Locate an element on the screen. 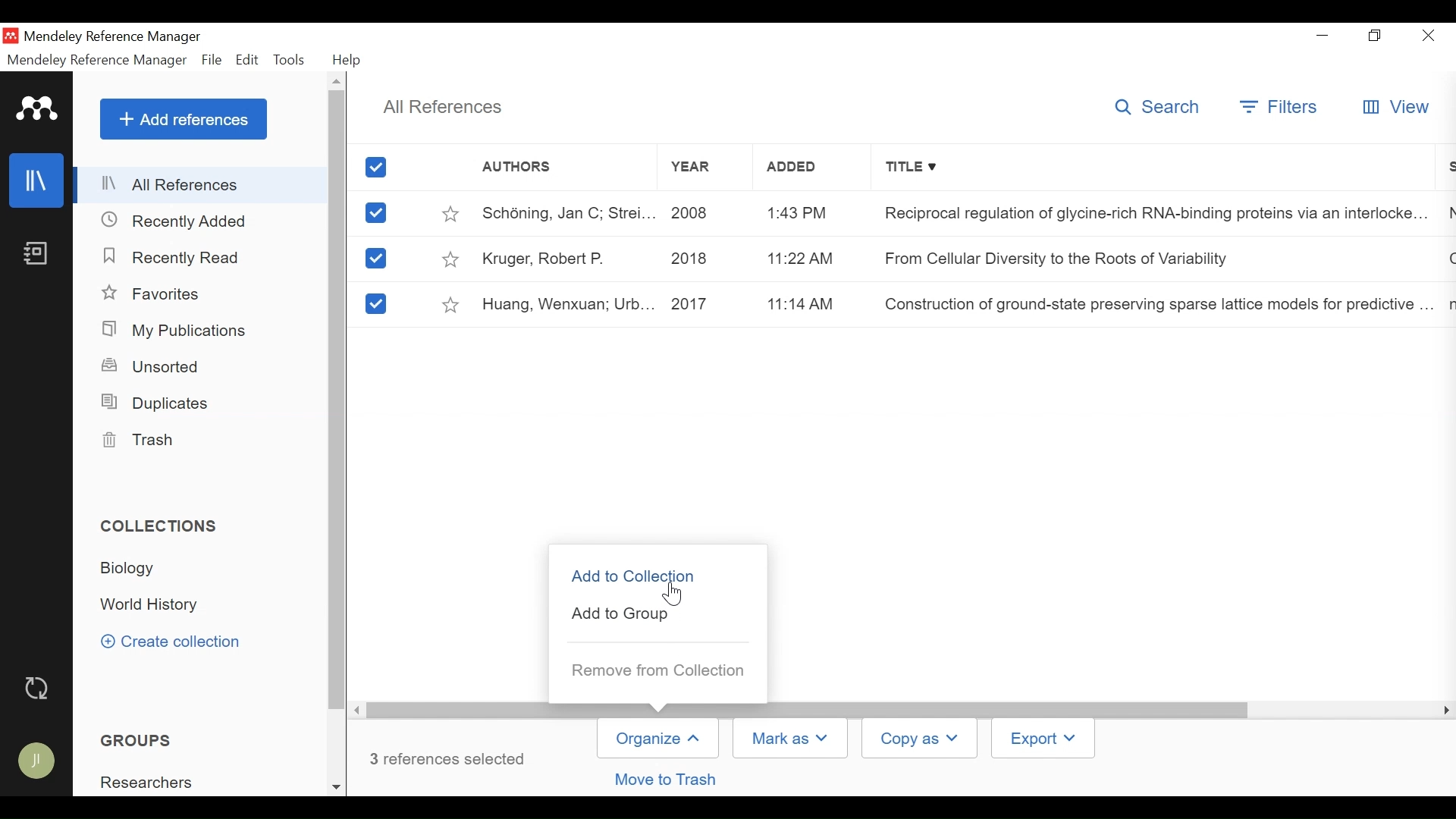 The height and width of the screenshot is (819, 1456). Restore is located at coordinates (1376, 36).